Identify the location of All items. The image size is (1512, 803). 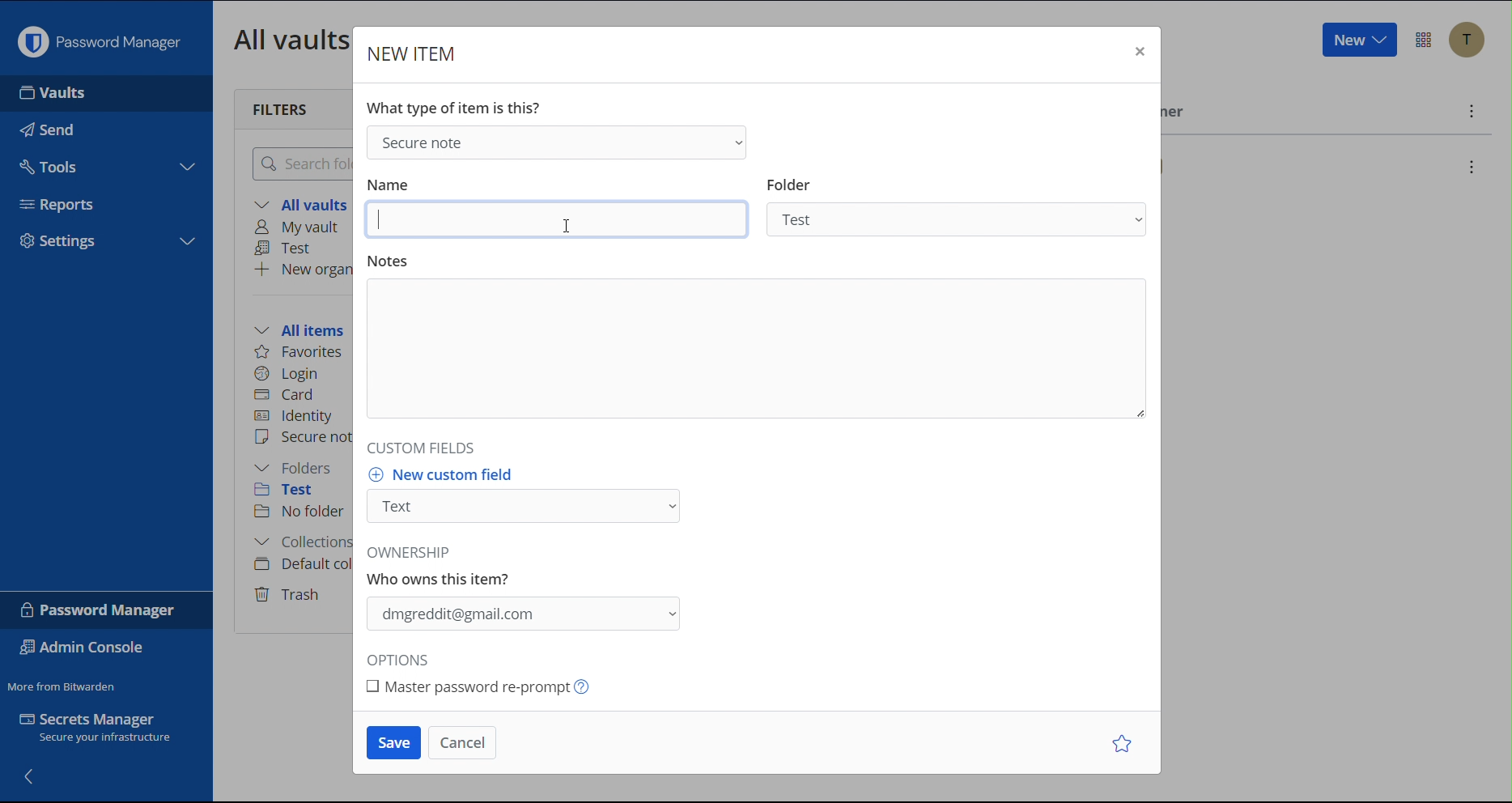
(304, 328).